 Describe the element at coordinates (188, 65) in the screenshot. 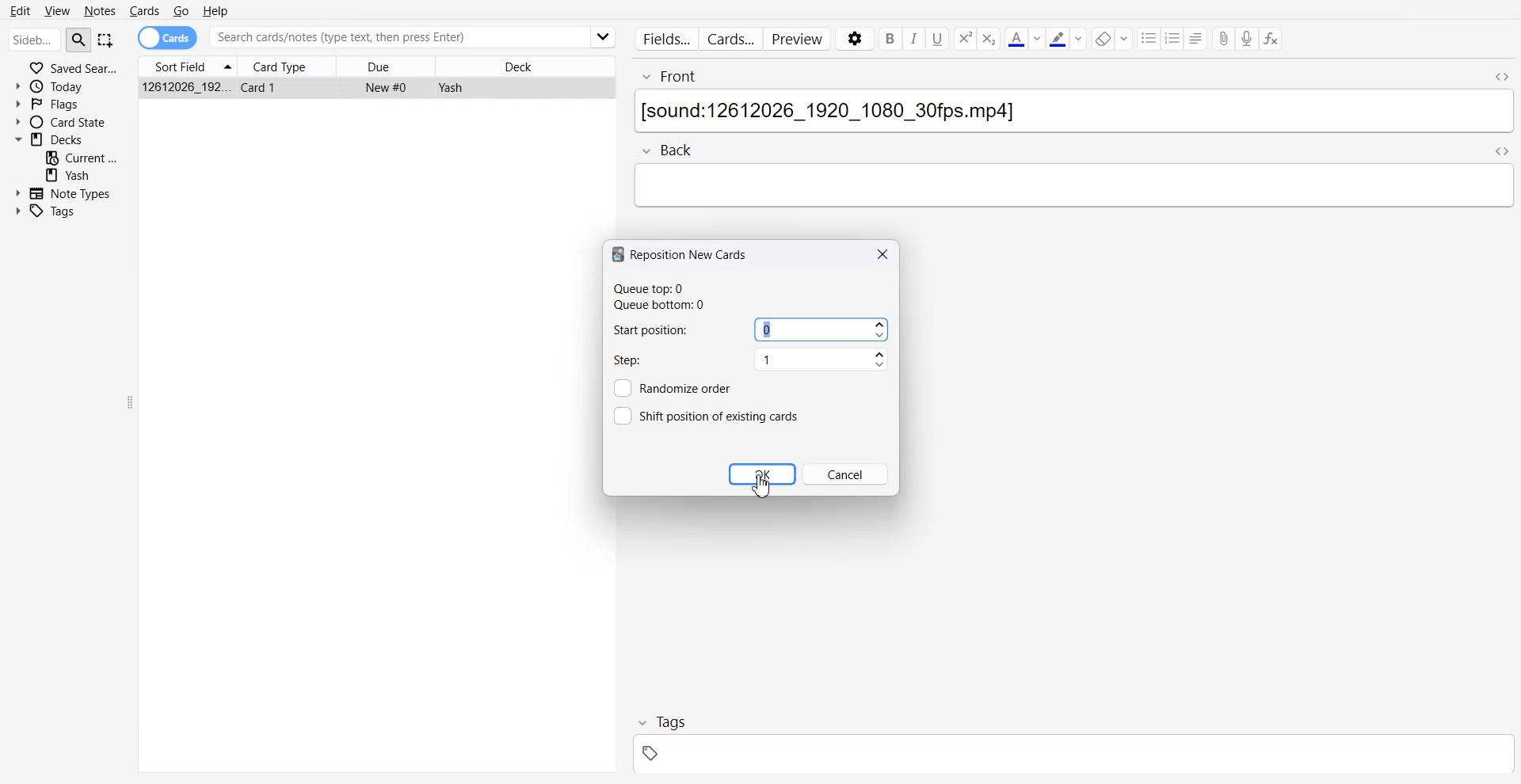

I see `Sort Field` at that location.